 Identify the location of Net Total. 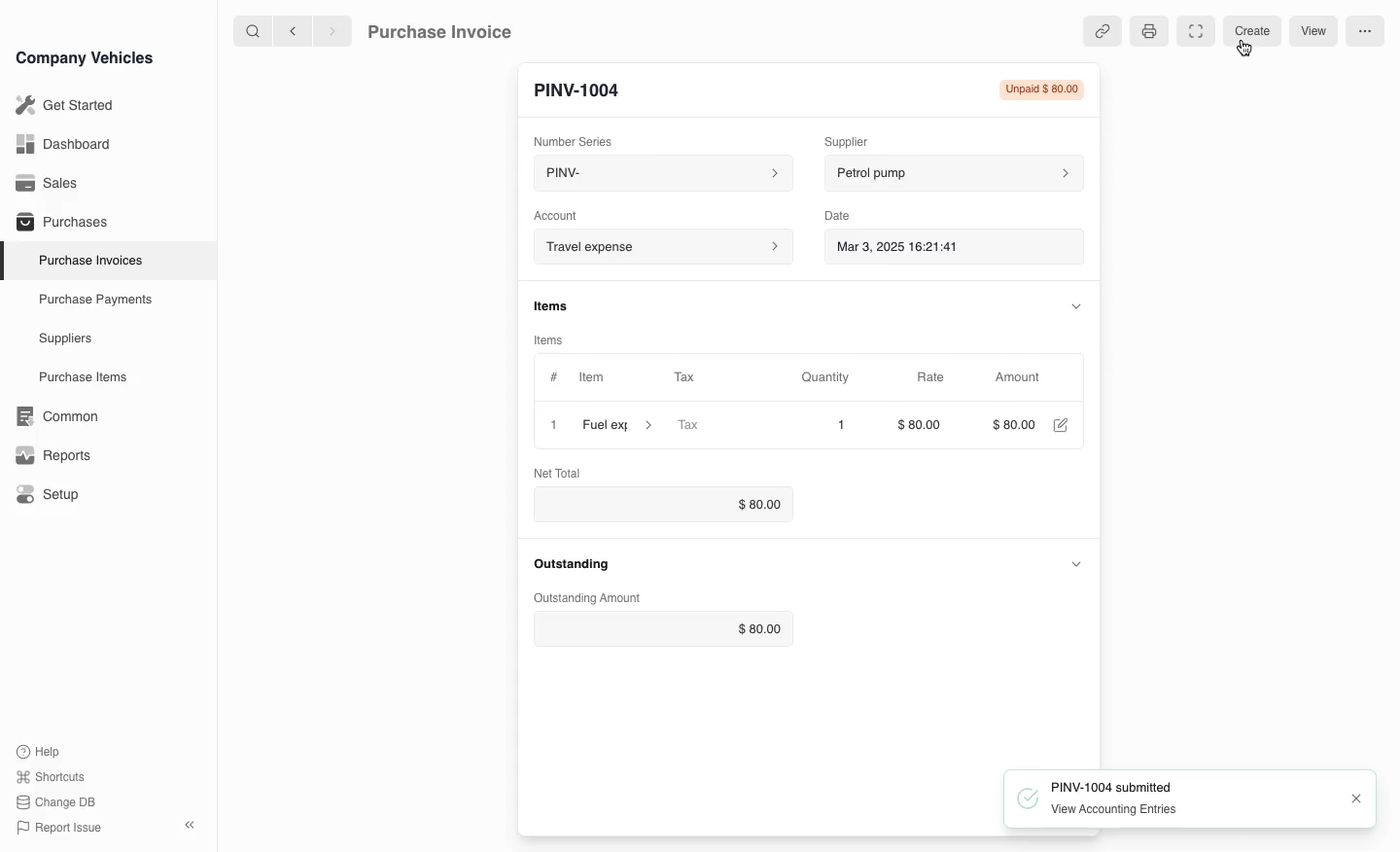
(561, 472).